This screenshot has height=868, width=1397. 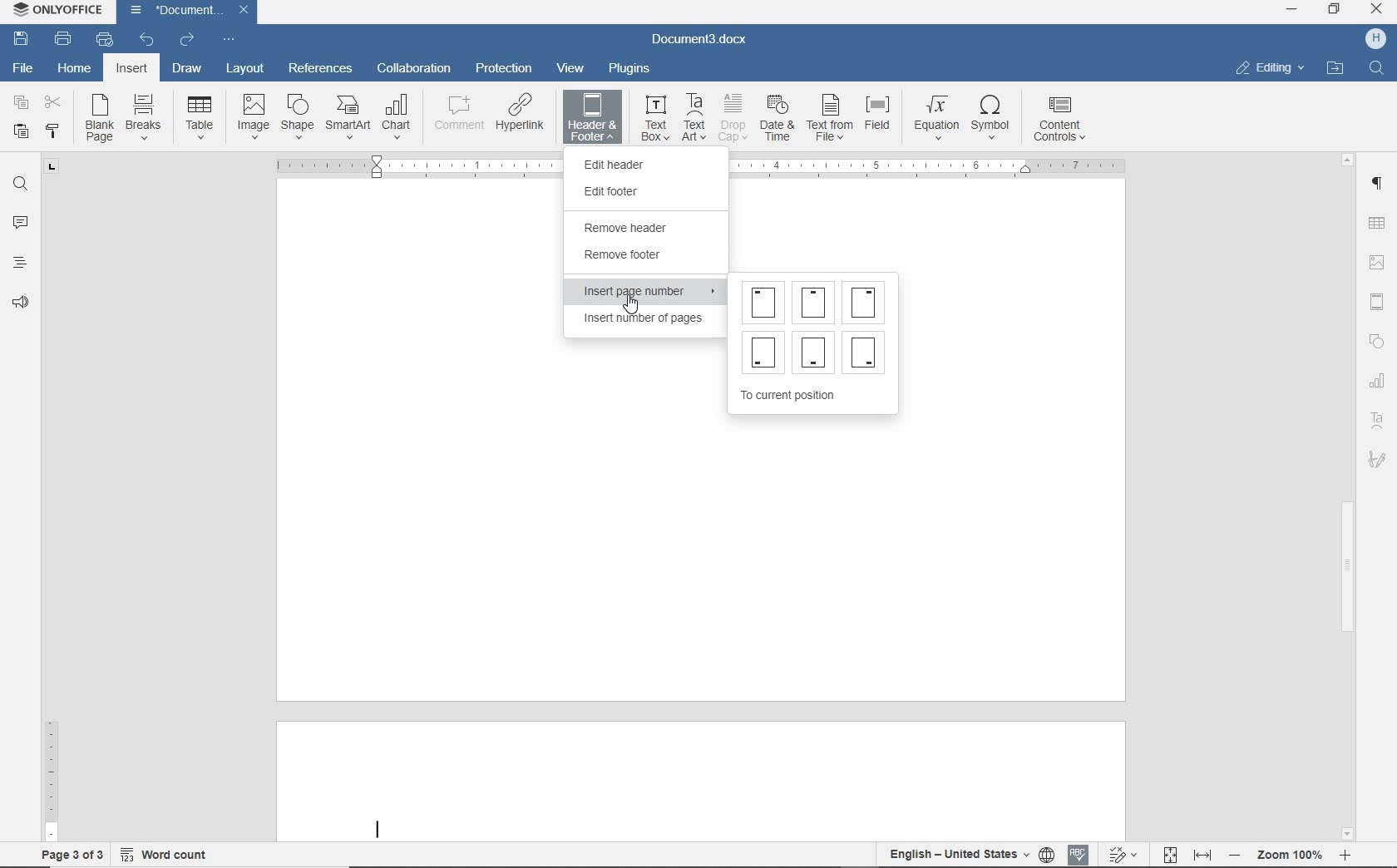 What do you see at coordinates (297, 119) in the screenshot?
I see `SHAPE` at bounding box center [297, 119].